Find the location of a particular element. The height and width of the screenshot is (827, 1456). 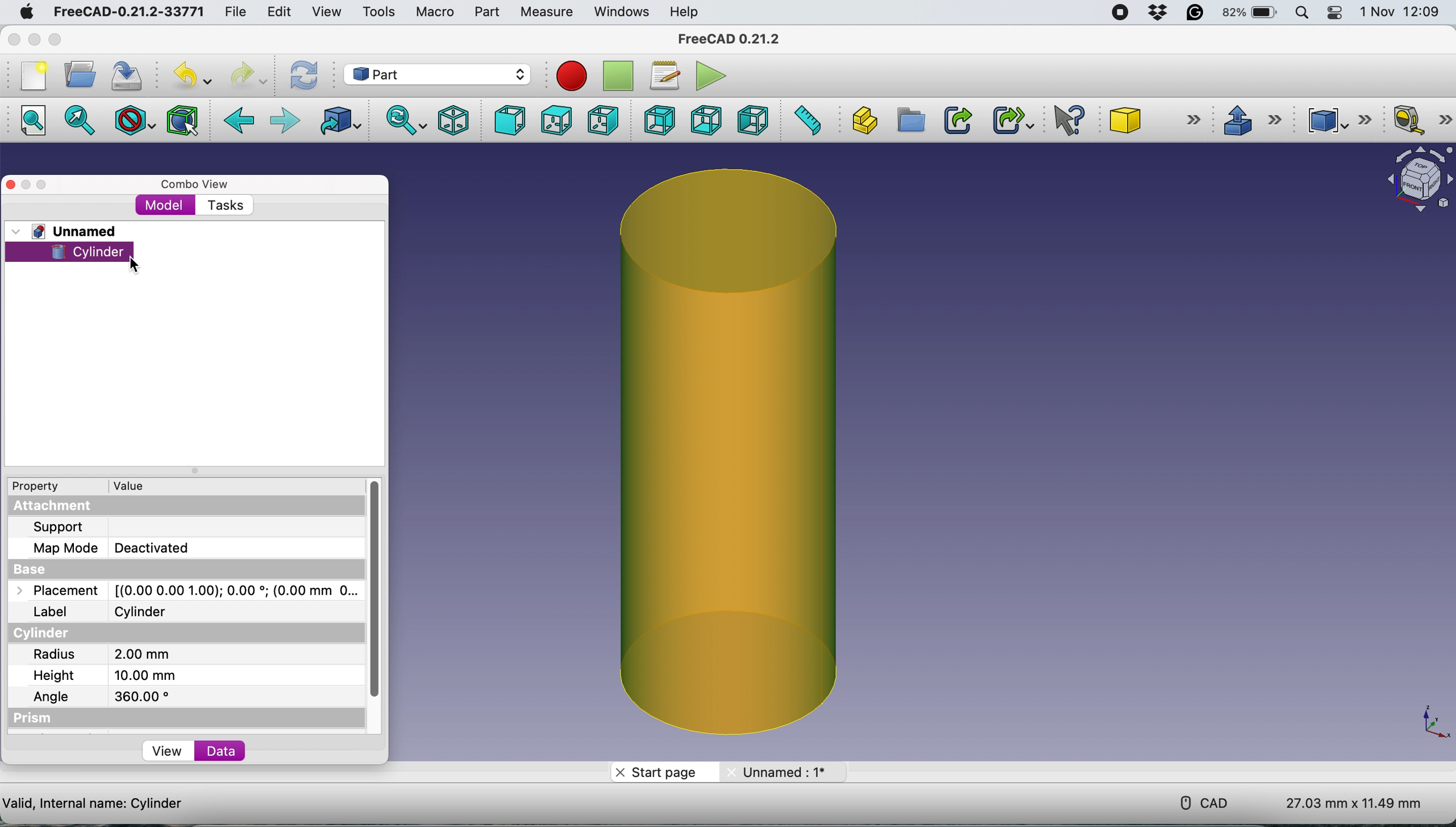

cube is located at coordinates (1155, 118).